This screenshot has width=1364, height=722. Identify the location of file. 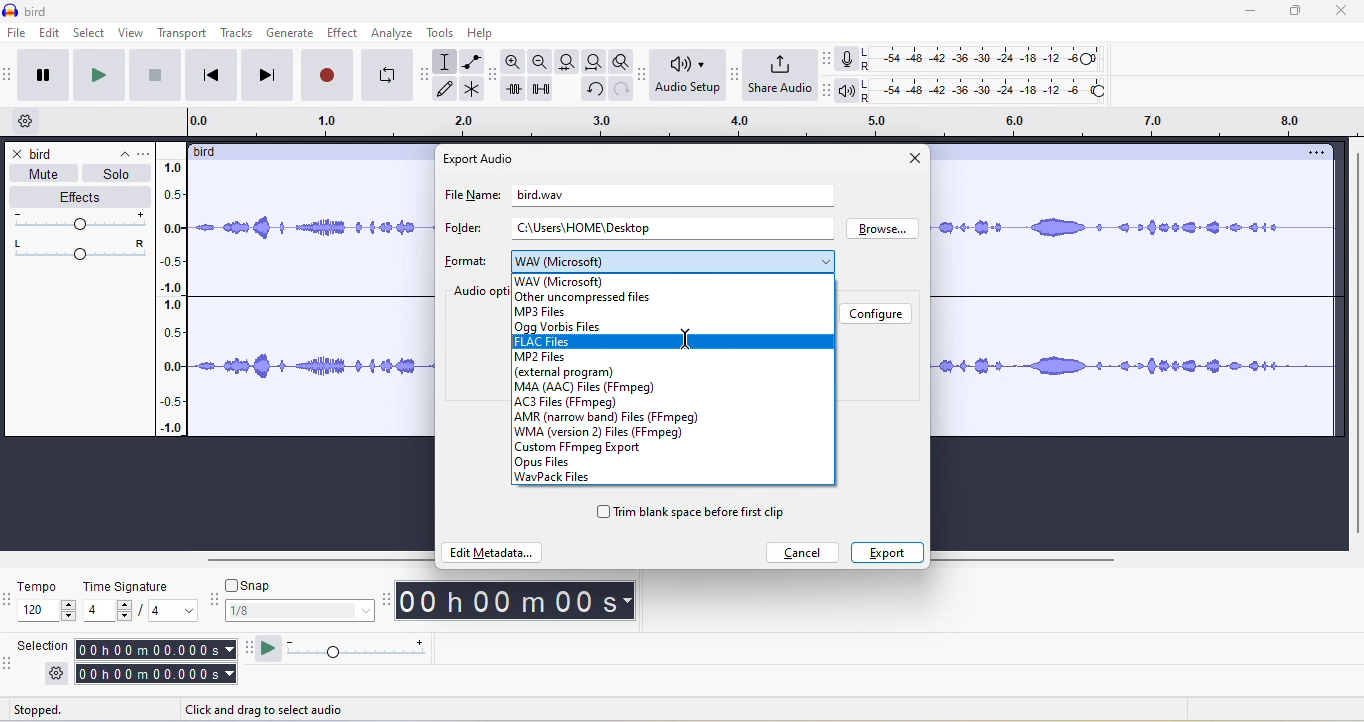
(15, 33).